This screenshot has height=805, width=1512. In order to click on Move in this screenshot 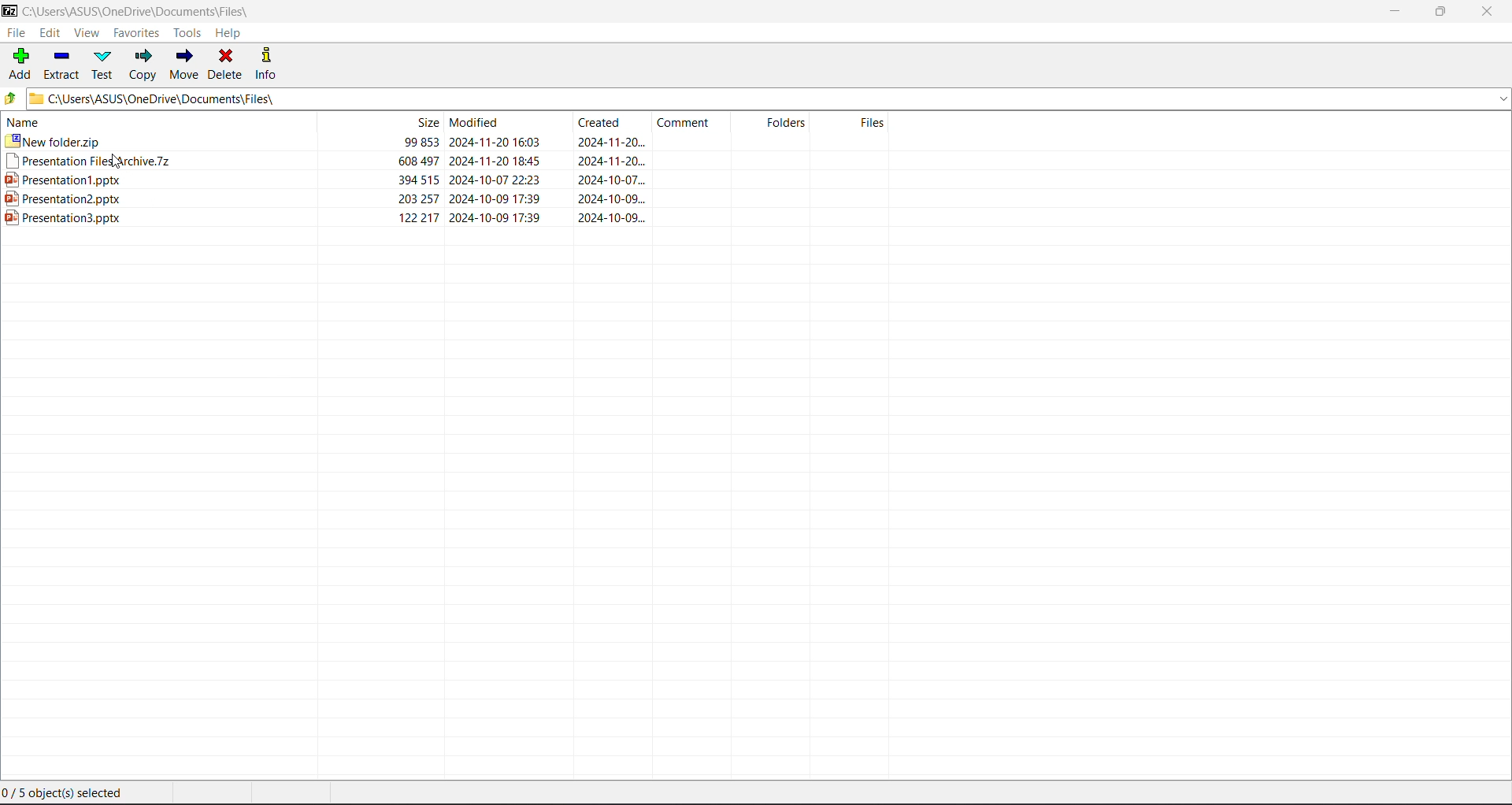, I will do `click(185, 65)`.